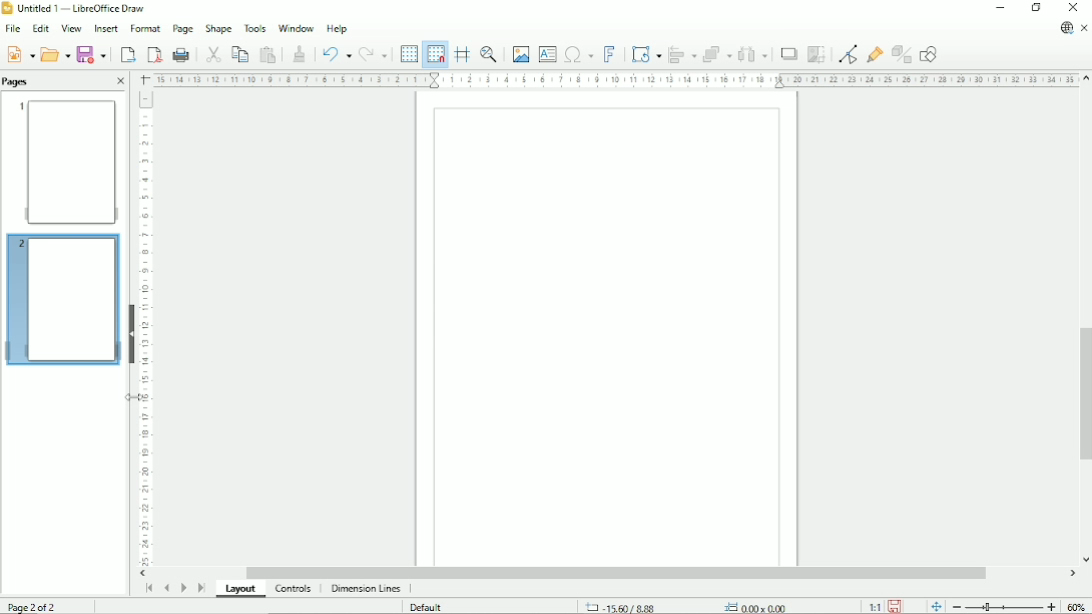 This screenshot has width=1092, height=614. I want to click on Copy, so click(239, 53).